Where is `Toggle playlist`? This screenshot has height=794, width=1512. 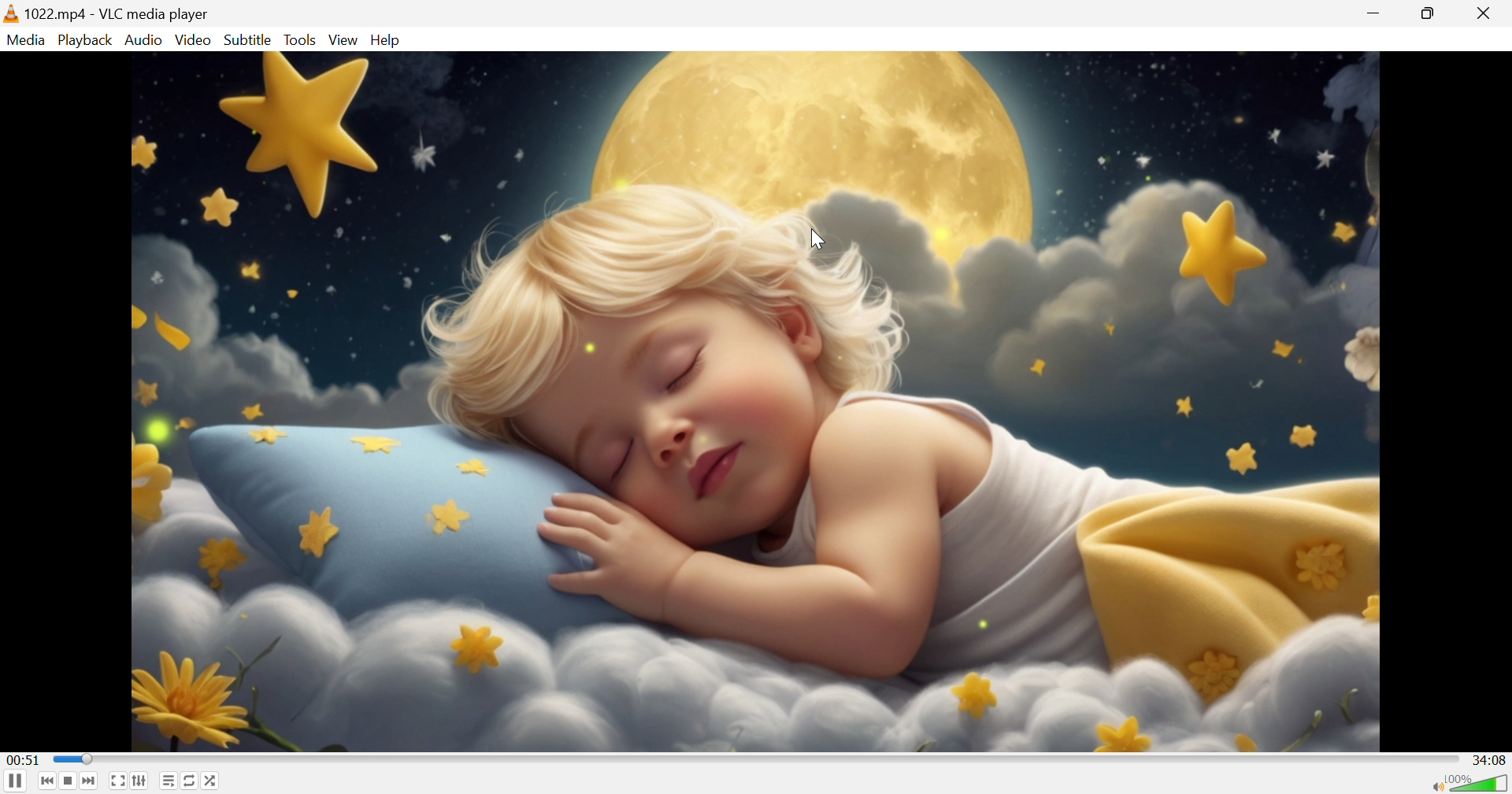
Toggle playlist is located at coordinates (165, 783).